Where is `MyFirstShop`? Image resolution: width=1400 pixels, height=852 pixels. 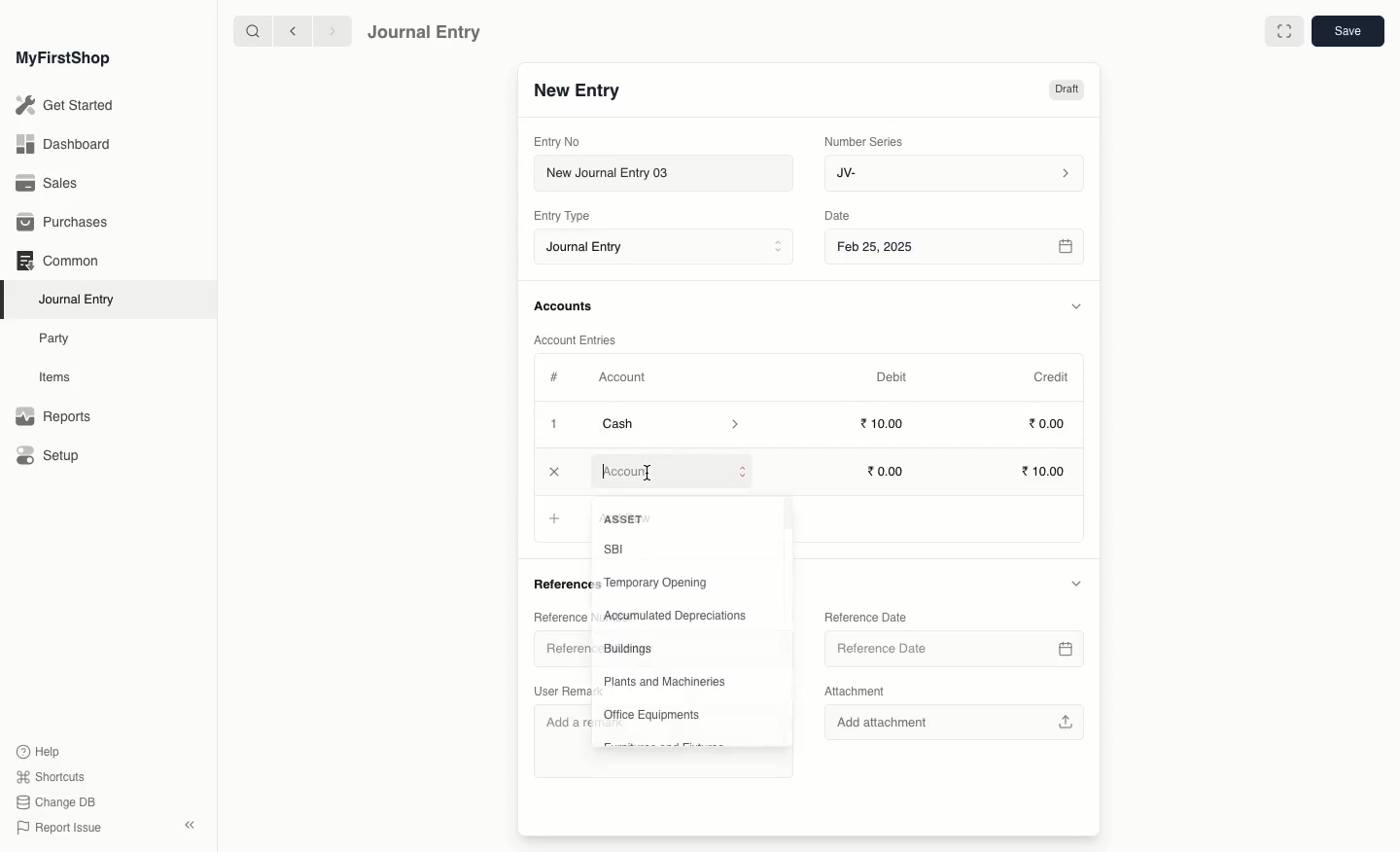
MyFirstShop is located at coordinates (61, 59).